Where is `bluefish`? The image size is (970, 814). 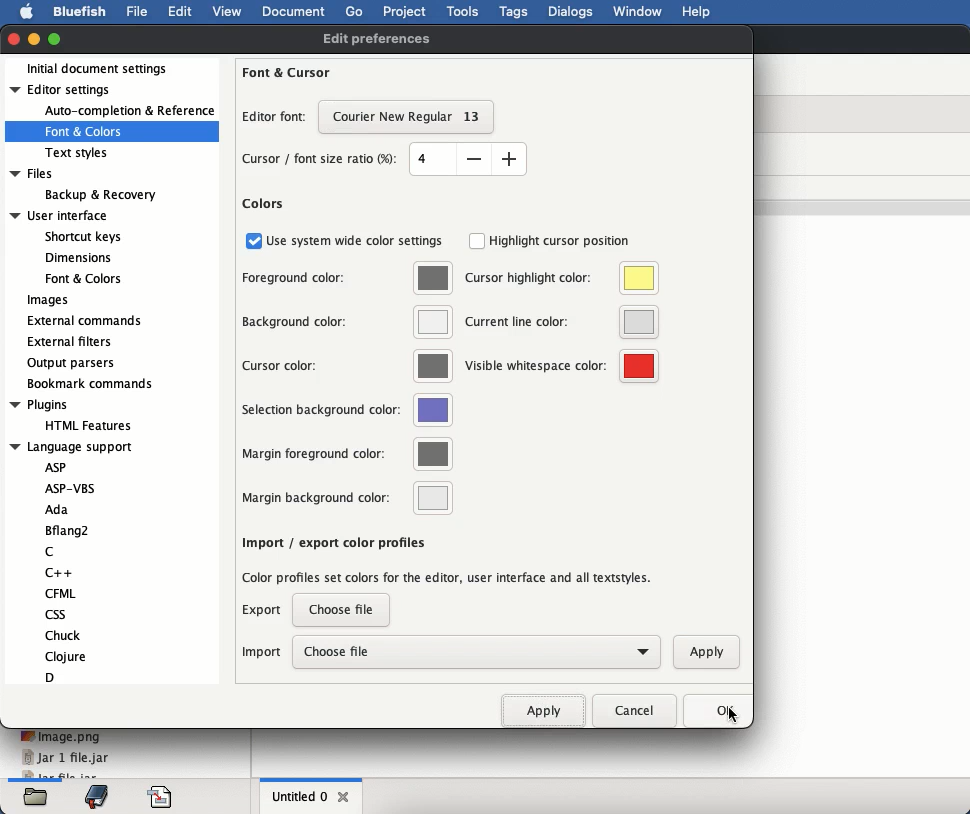
bluefish is located at coordinates (81, 14).